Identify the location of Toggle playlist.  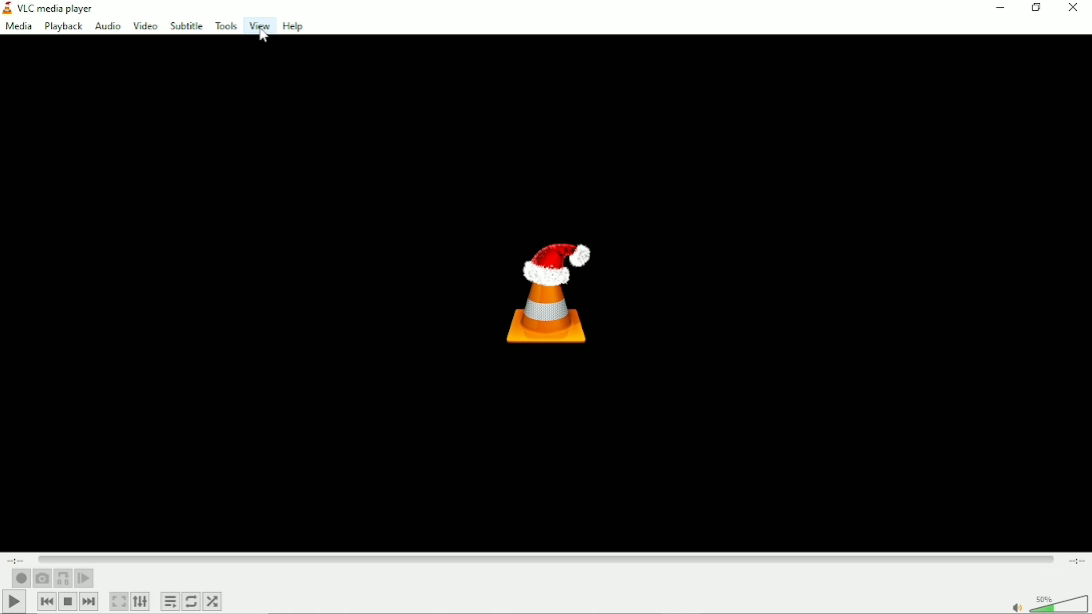
(170, 602).